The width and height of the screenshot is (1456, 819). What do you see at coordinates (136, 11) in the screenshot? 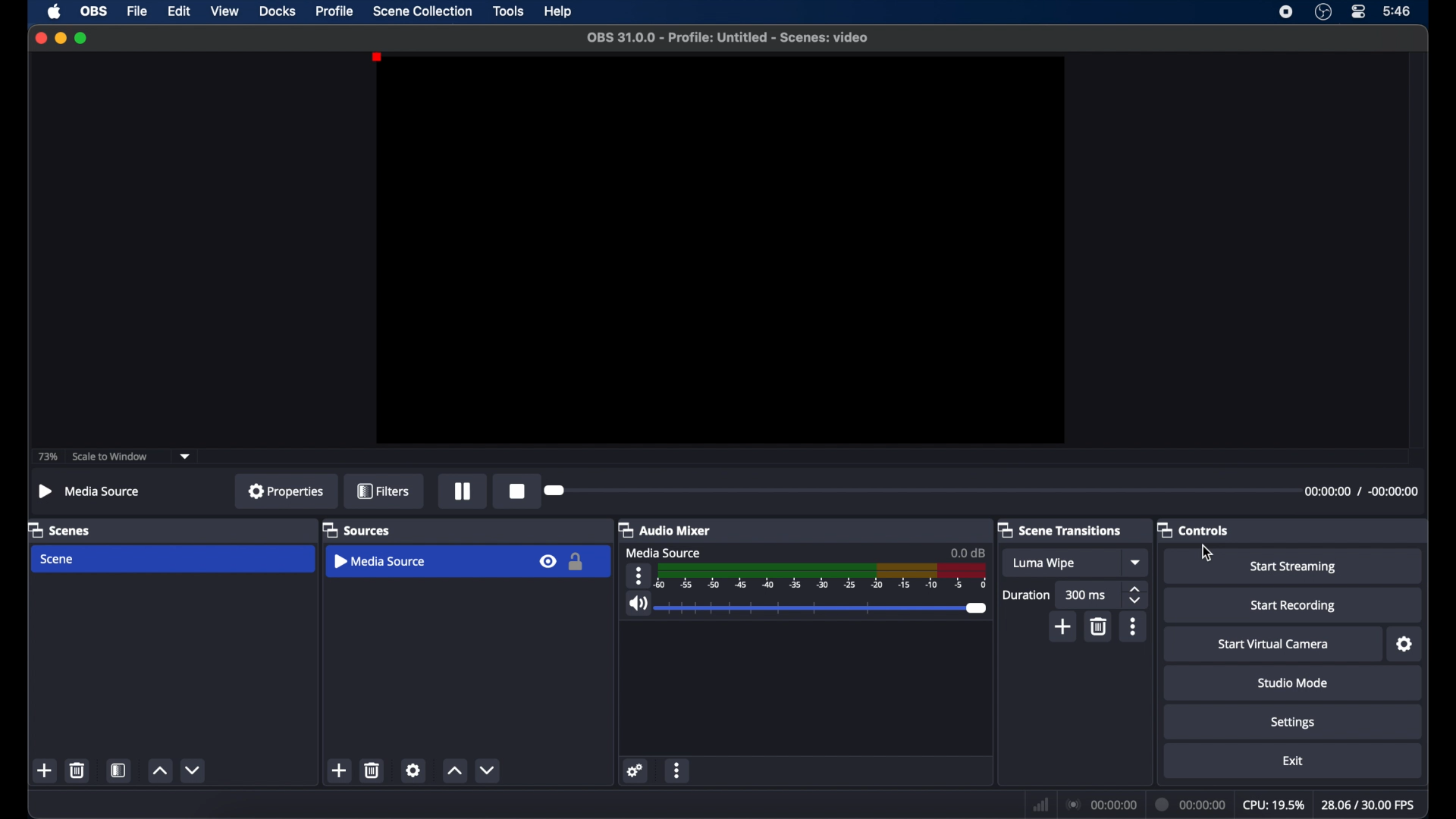
I see `file` at bounding box center [136, 11].